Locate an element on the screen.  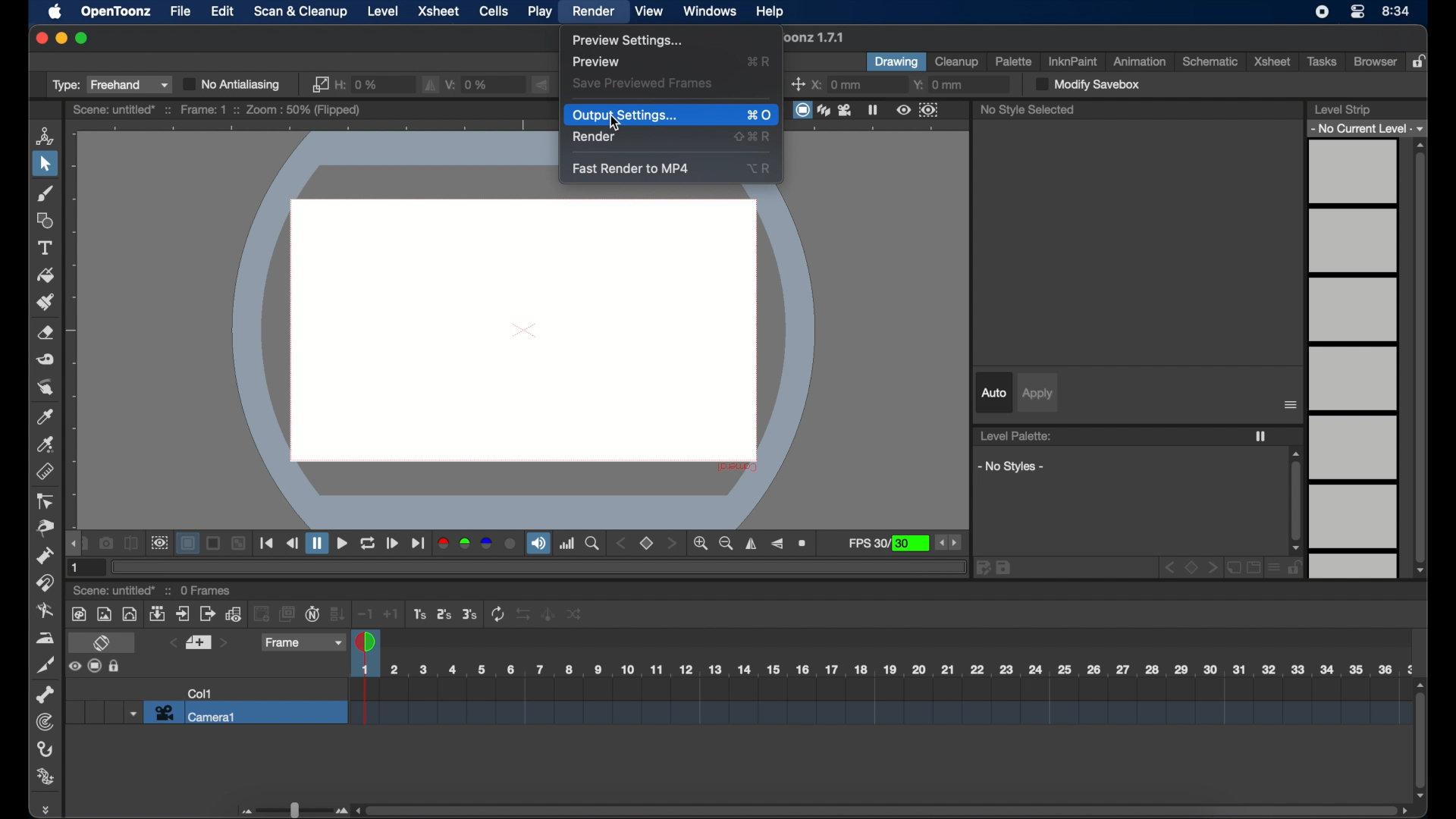
 is located at coordinates (575, 613).